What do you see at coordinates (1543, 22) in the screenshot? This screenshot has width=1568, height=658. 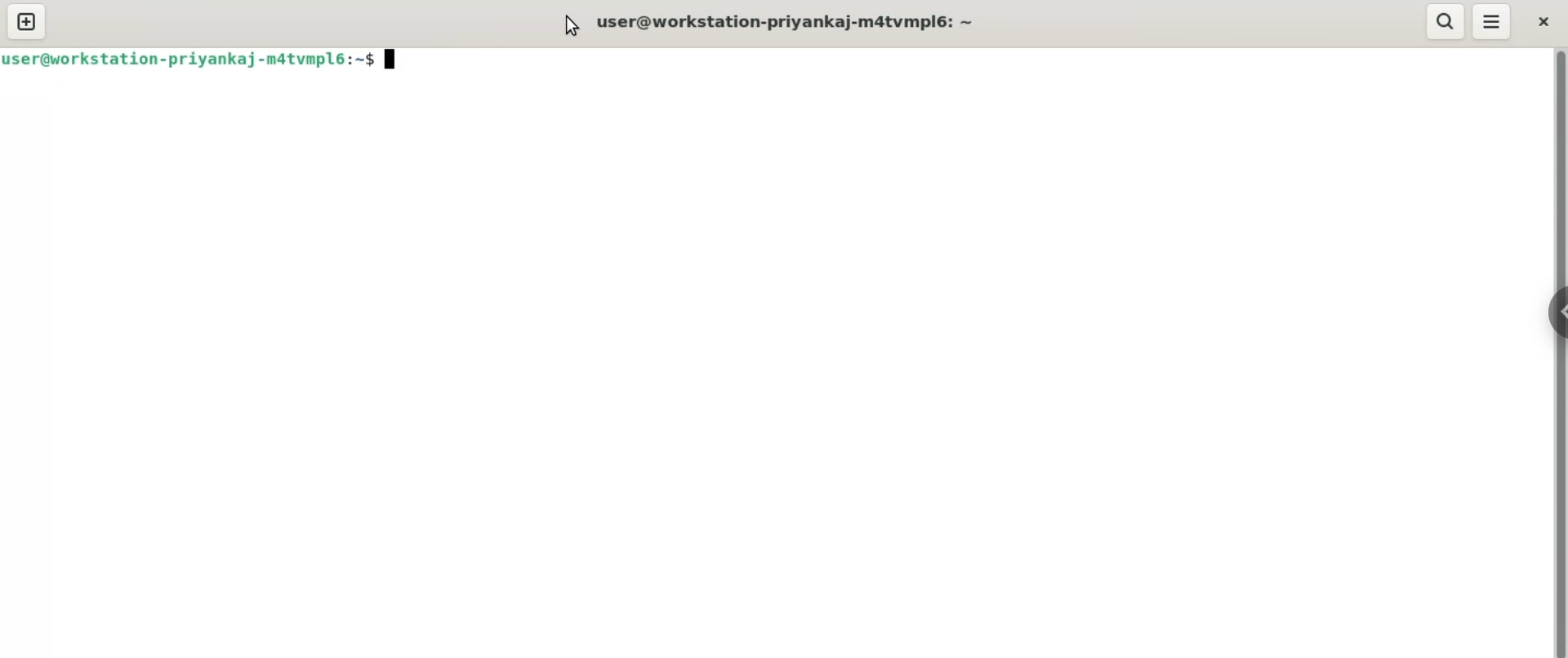 I see `close` at bounding box center [1543, 22].